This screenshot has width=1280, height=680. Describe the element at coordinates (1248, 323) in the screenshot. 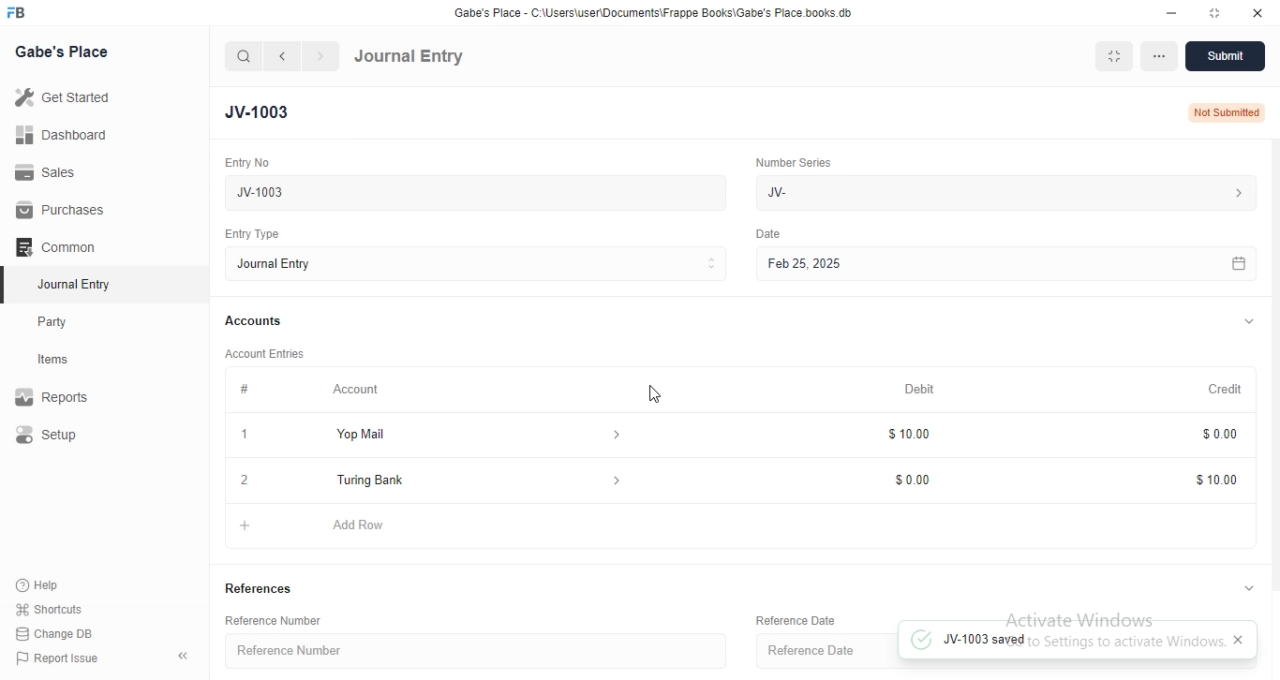

I see `expand/collapse` at that location.